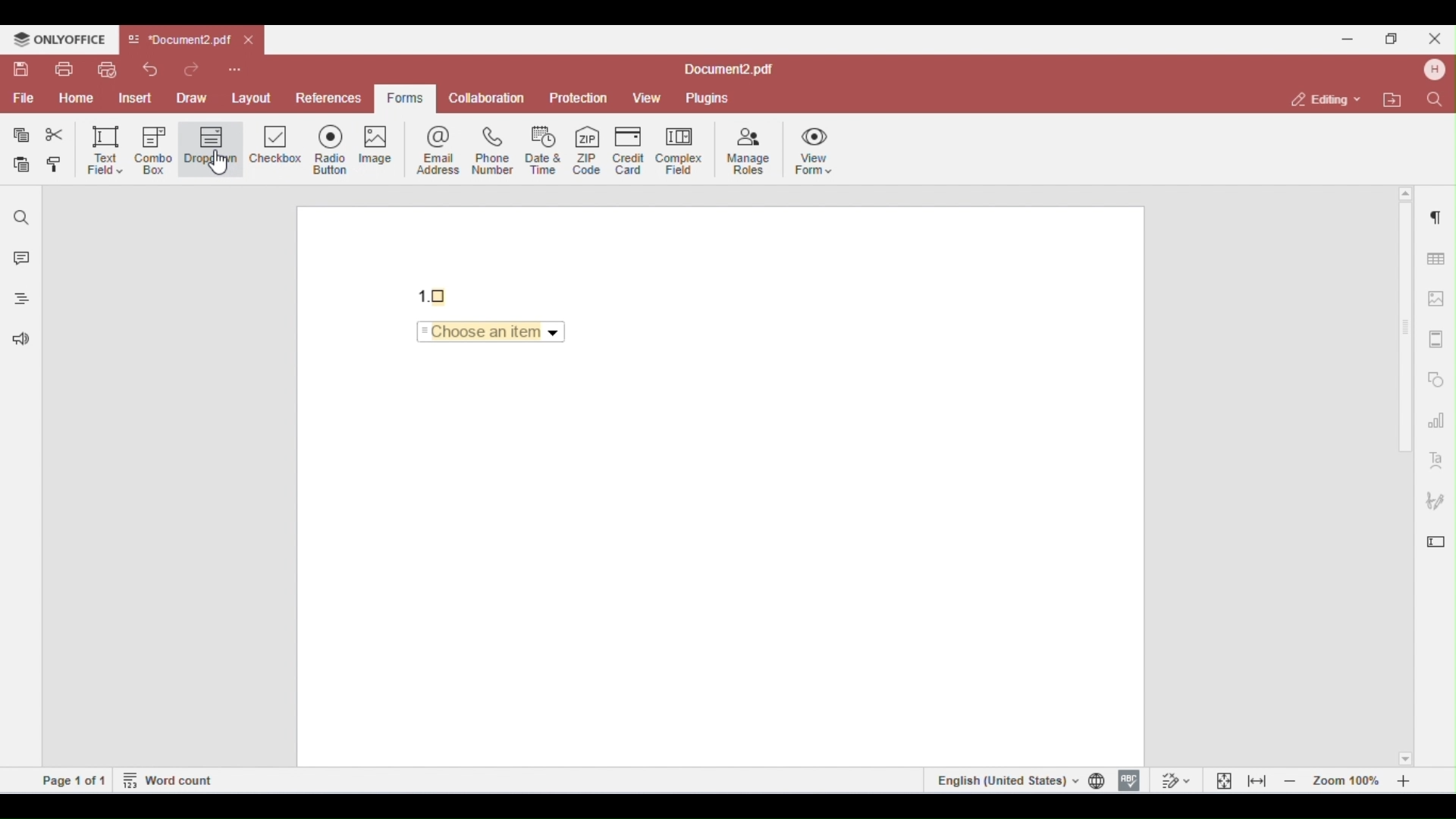 This screenshot has width=1456, height=819. What do you see at coordinates (402, 99) in the screenshot?
I see `forms` at bounding box center [402, 99].